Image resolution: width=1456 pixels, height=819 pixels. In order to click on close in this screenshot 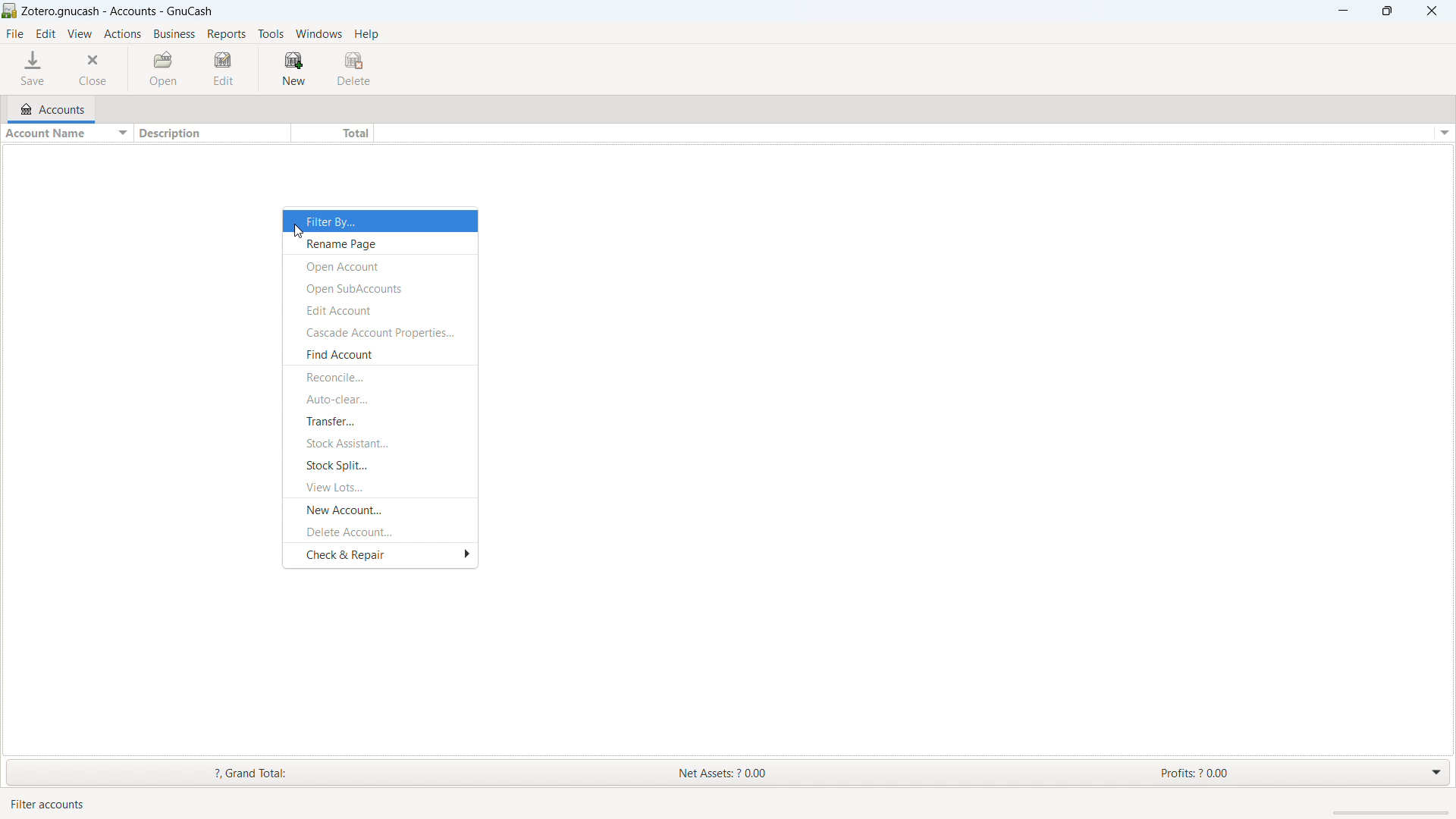, I will do `click(94, 69)`.